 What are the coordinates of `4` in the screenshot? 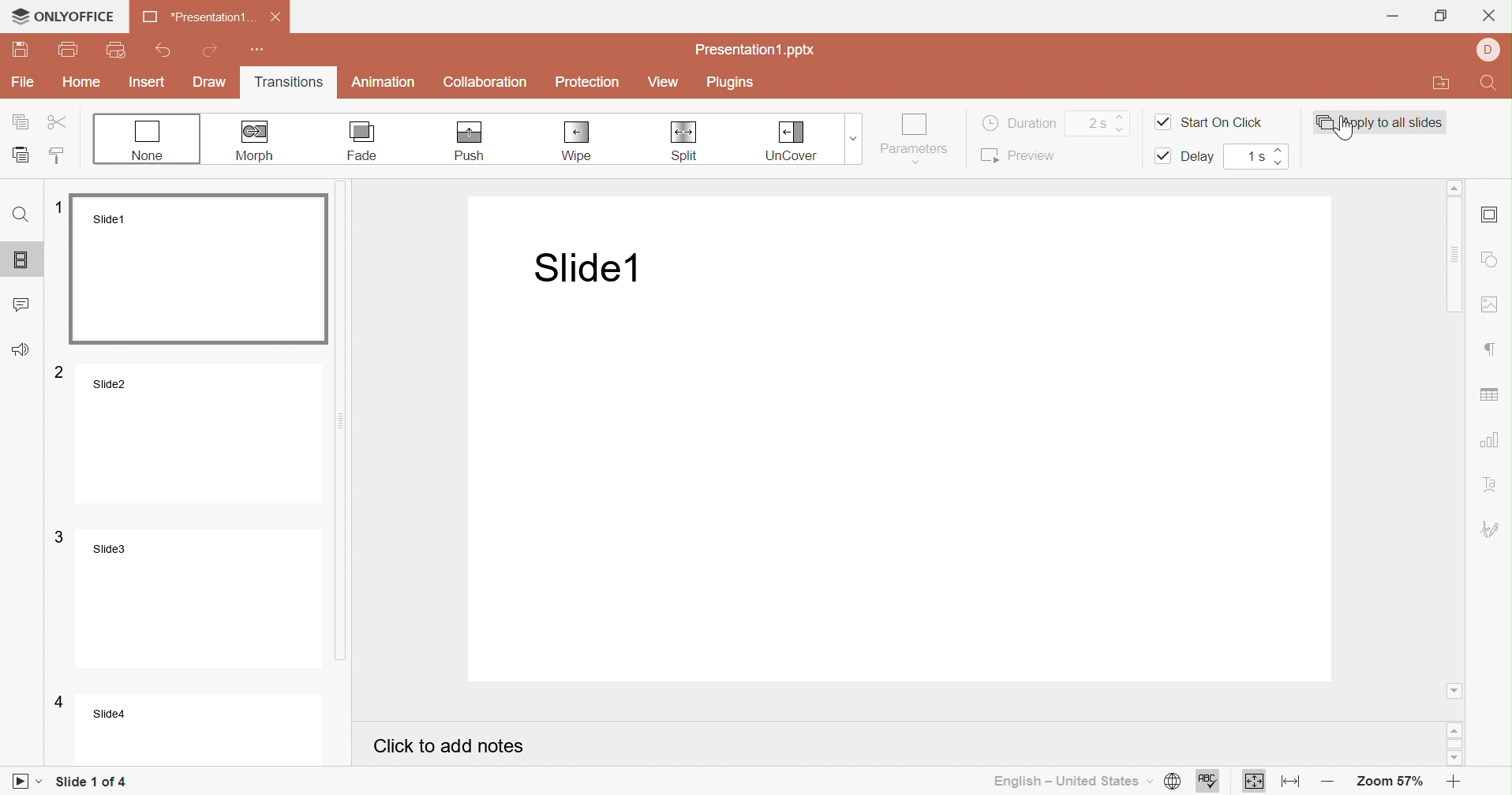 It's located at (62, 703).